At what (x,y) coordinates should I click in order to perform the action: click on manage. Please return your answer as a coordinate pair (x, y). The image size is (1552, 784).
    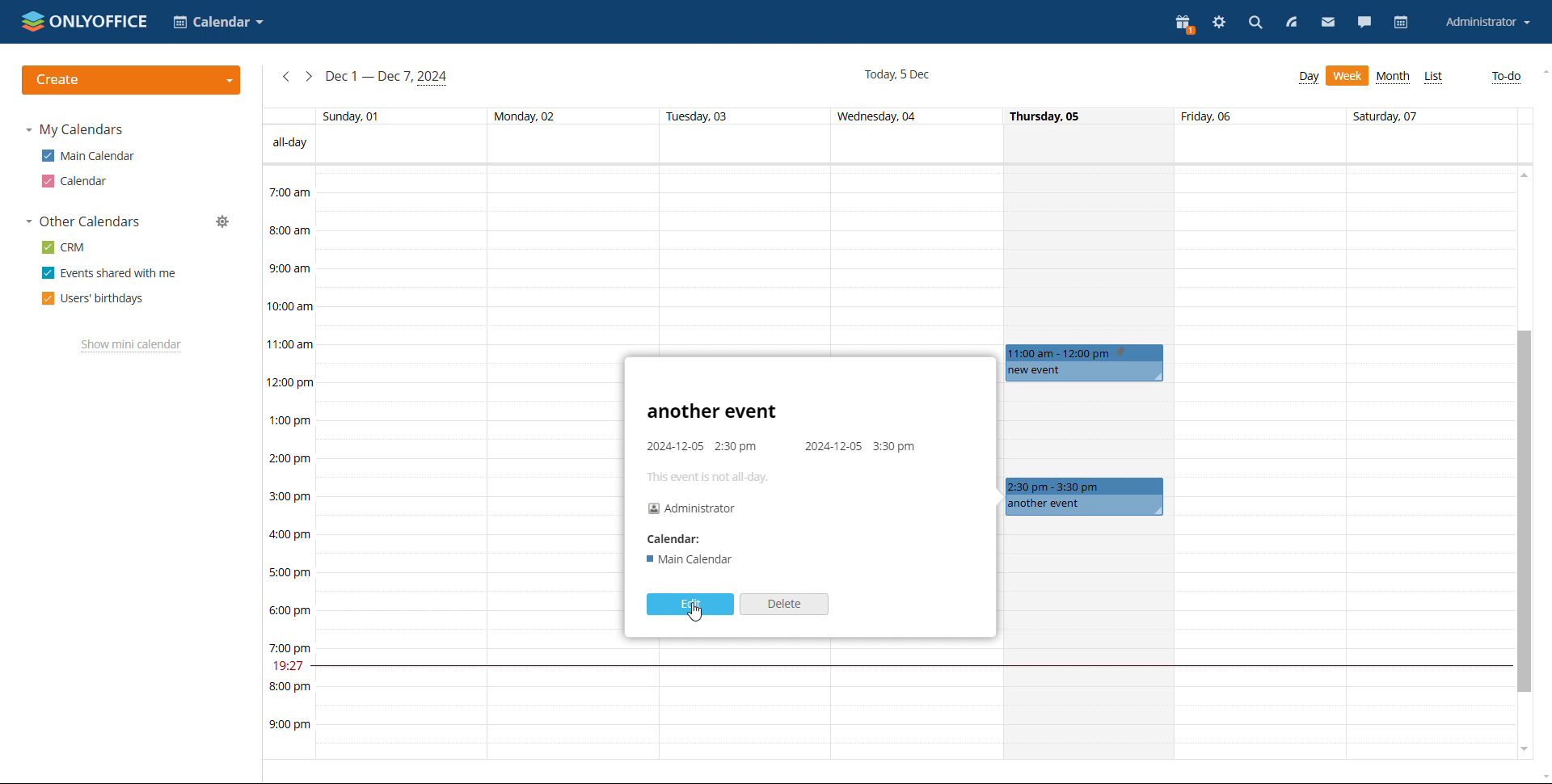
    Looking at the image, I should click on (224, 221).